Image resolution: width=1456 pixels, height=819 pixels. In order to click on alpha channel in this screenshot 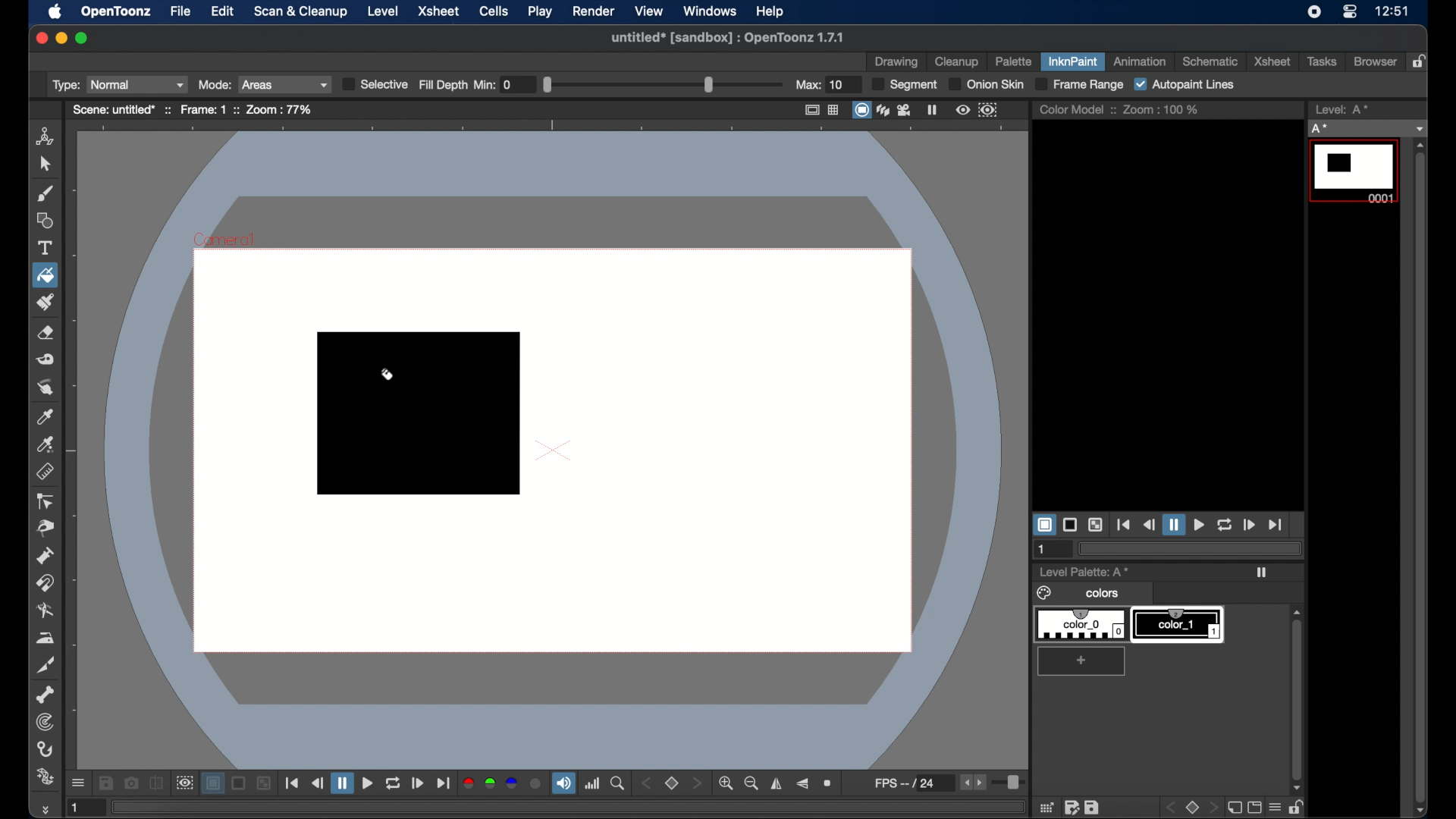, I will do `click(536, 783)`.